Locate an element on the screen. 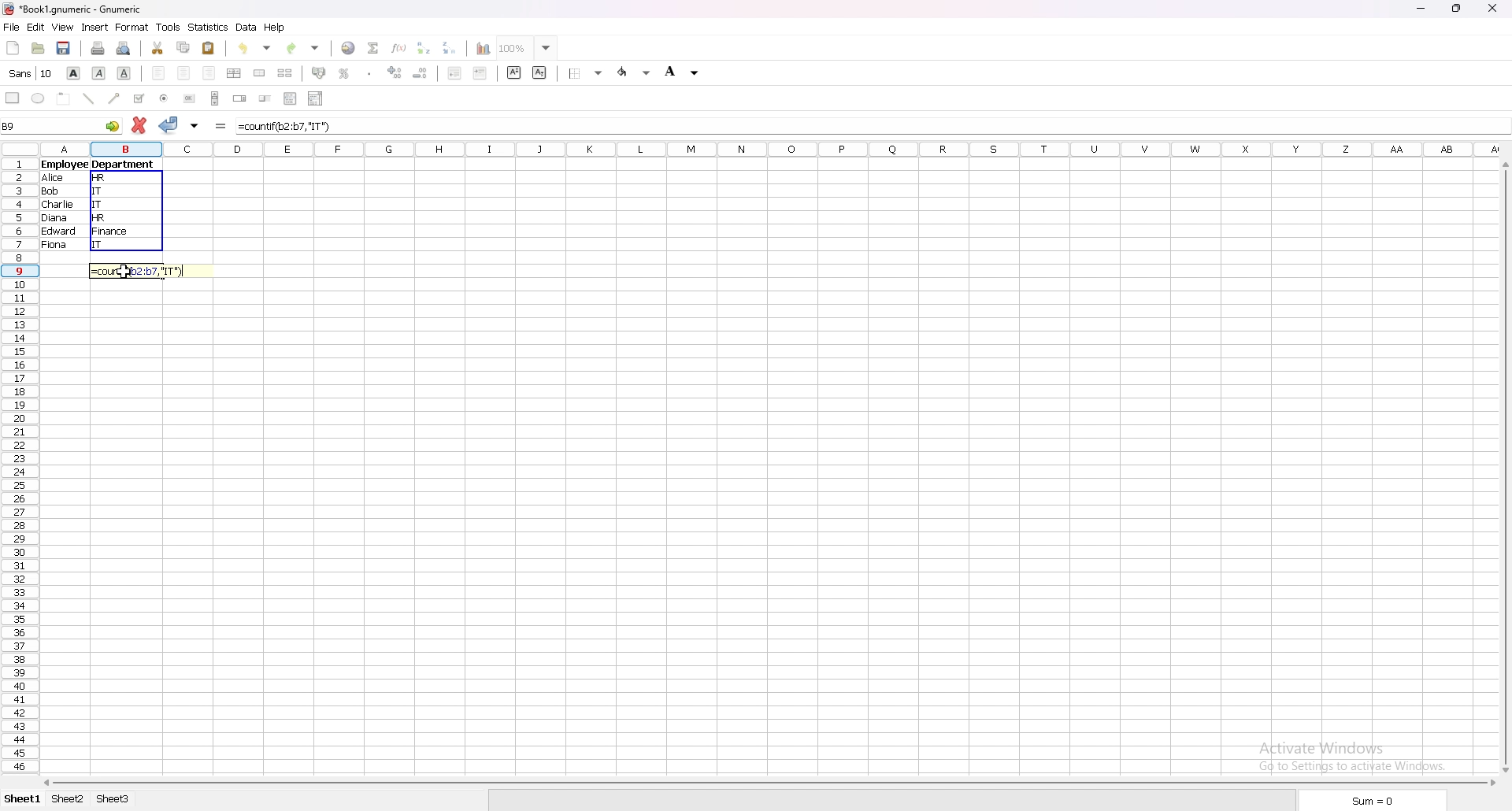  accept changes in all cells is located at coordinates (195, 125).